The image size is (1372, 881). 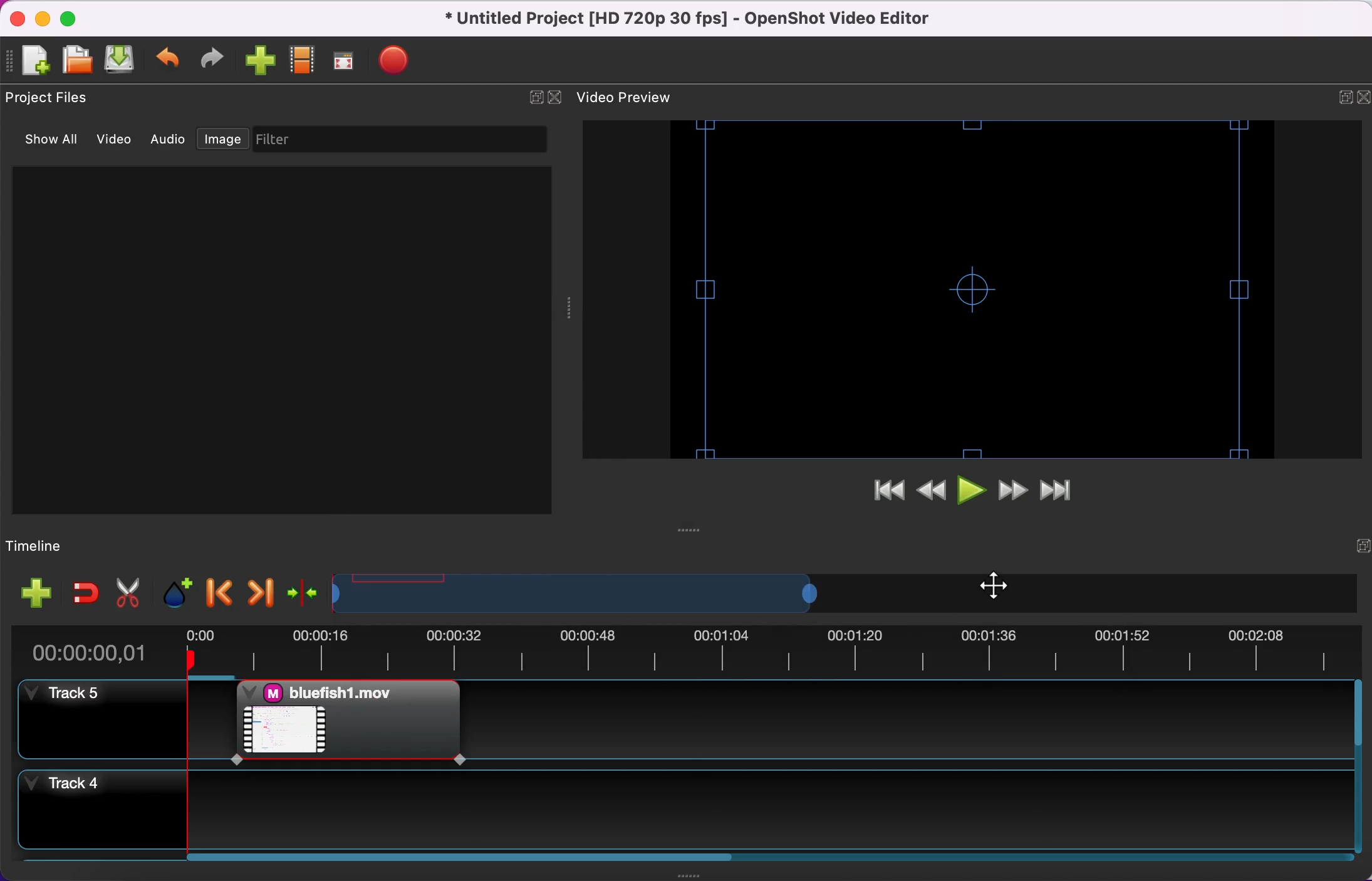 What do you see at coordinates (397, 140) in the screenshot?
I see `filter` at bounding box center [397, 140].